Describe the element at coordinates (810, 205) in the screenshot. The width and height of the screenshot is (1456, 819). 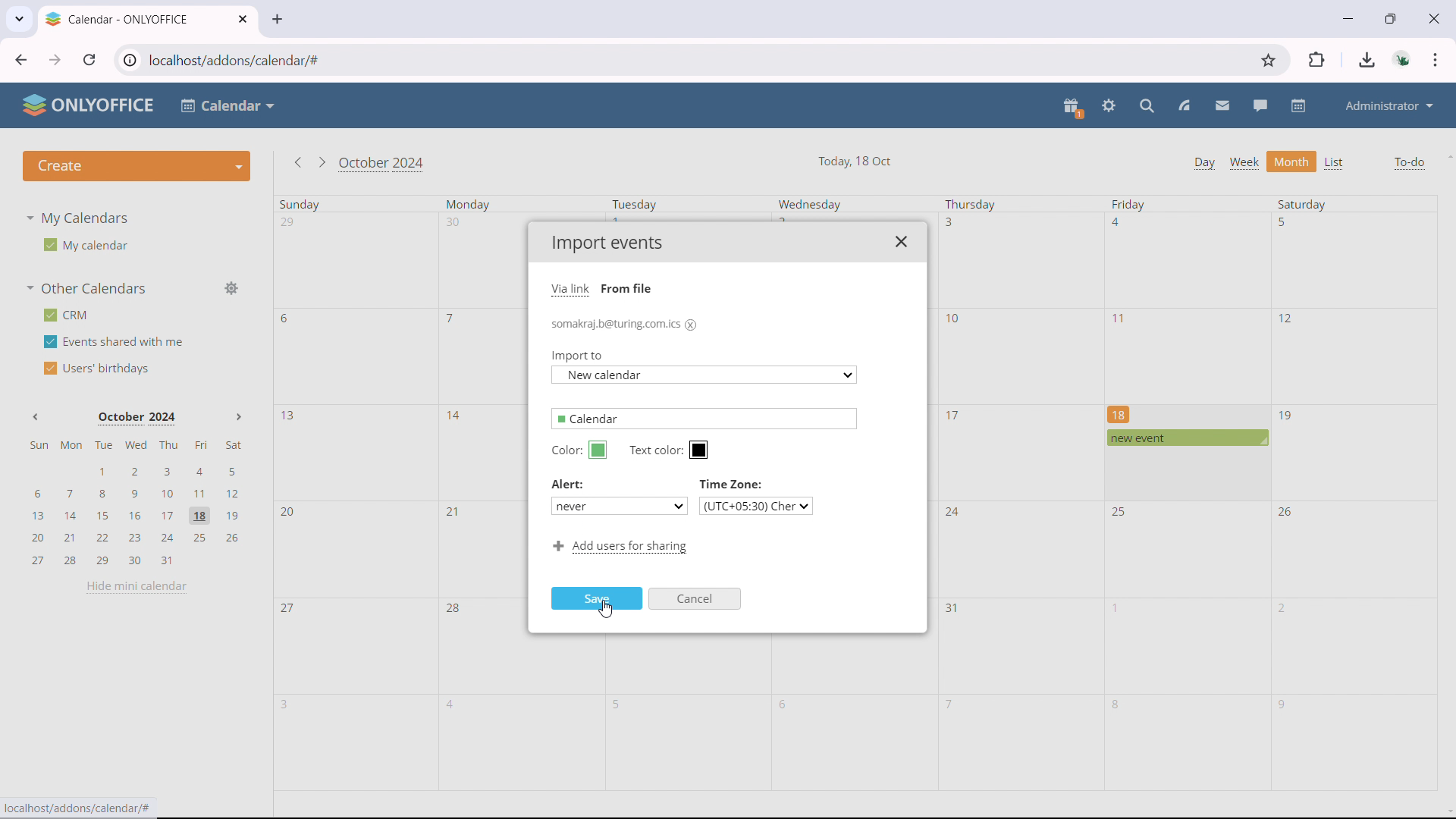
I see `Wednesday` at that location.